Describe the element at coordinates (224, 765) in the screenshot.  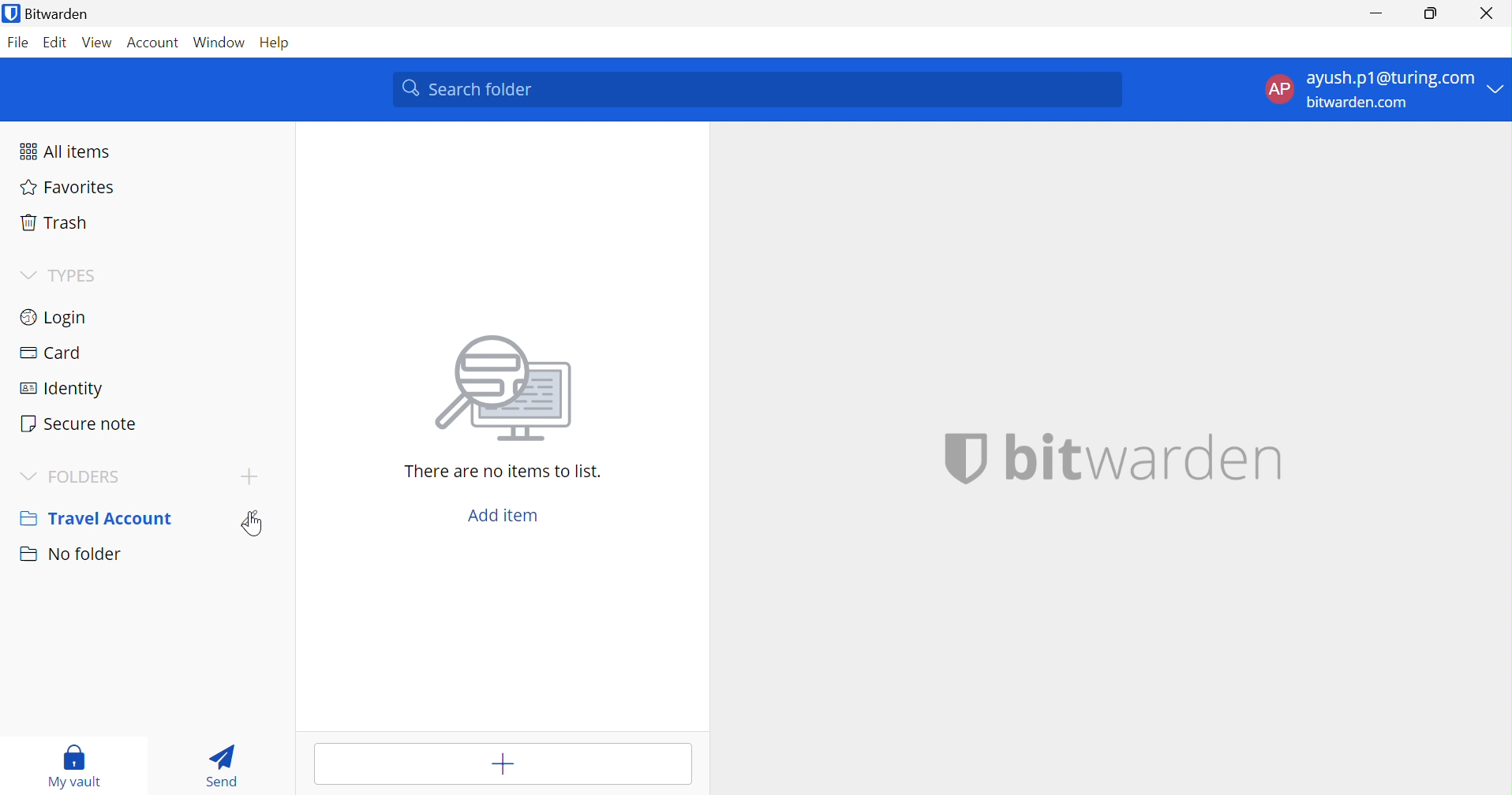
I see `Send` at that location.